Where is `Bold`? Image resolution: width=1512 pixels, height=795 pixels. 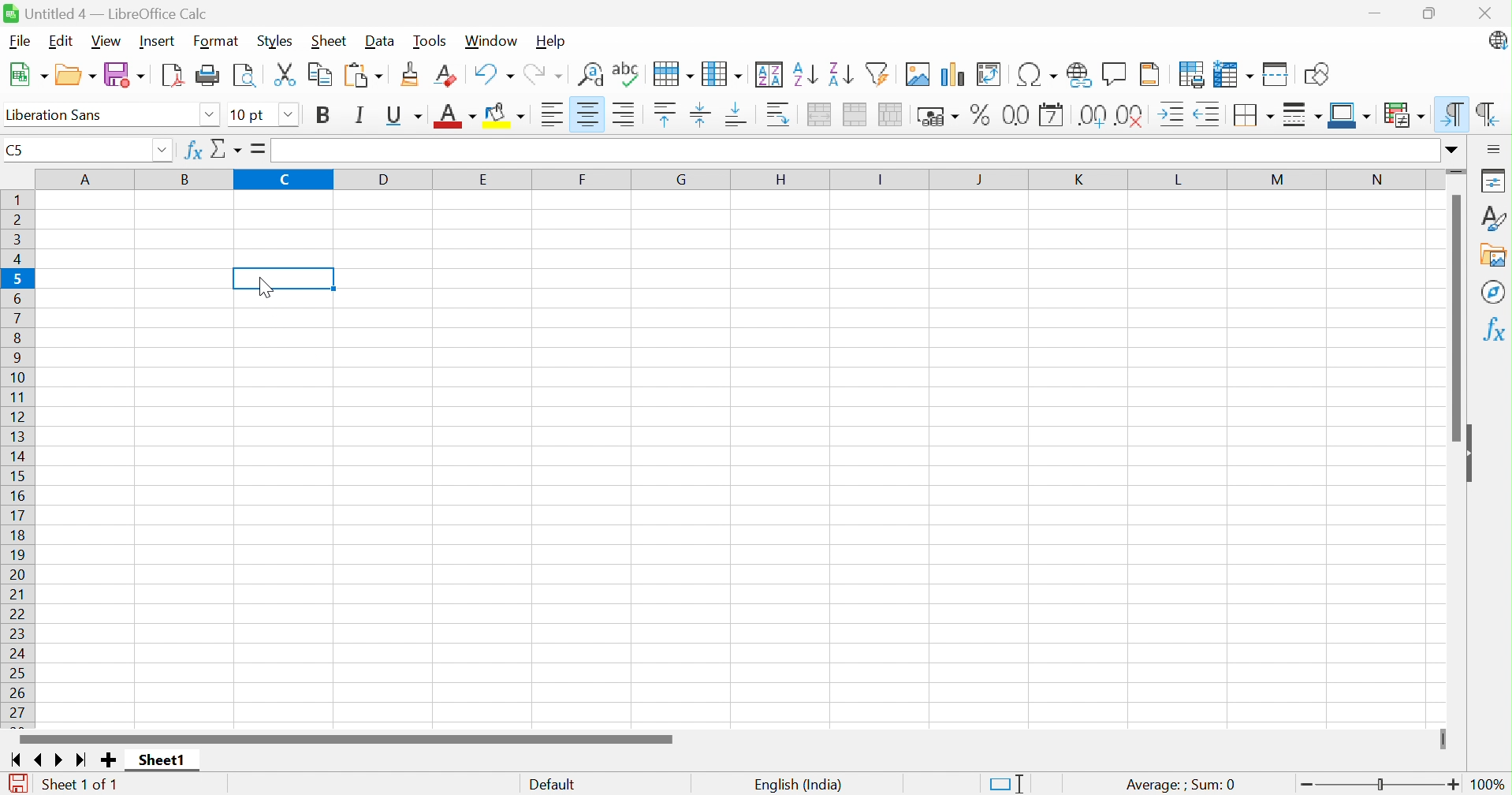
Bold is located at coordinates (324, 115).